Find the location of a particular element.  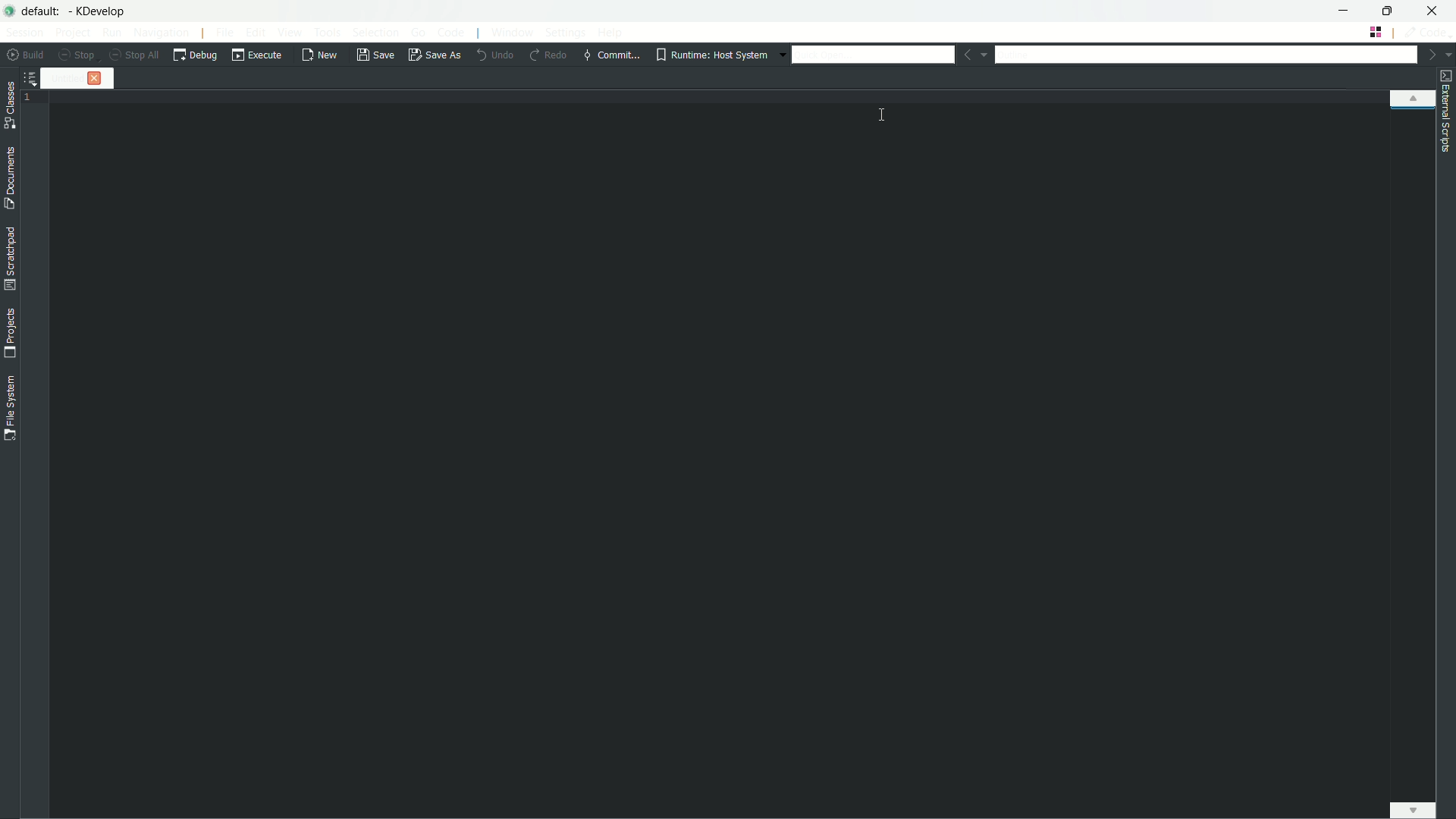

close app is located at coordinates (1432, 11).